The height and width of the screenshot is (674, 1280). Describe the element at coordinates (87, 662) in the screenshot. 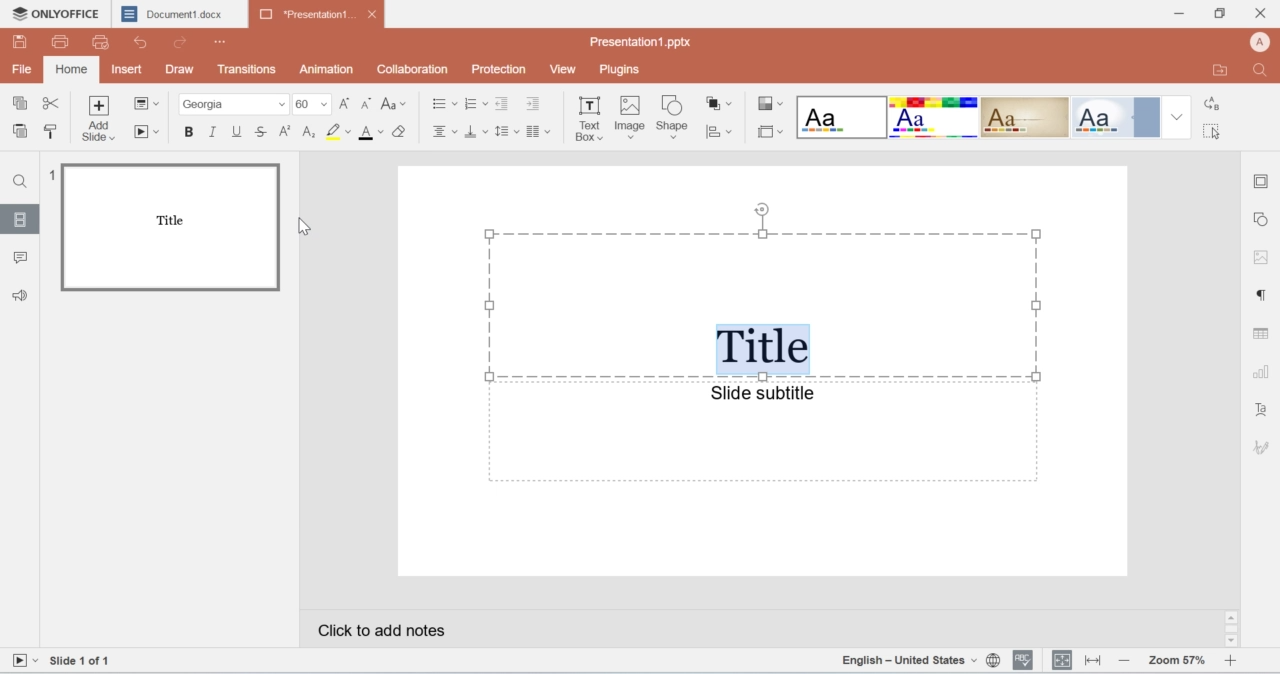

I see `Slides numbering` at that location.